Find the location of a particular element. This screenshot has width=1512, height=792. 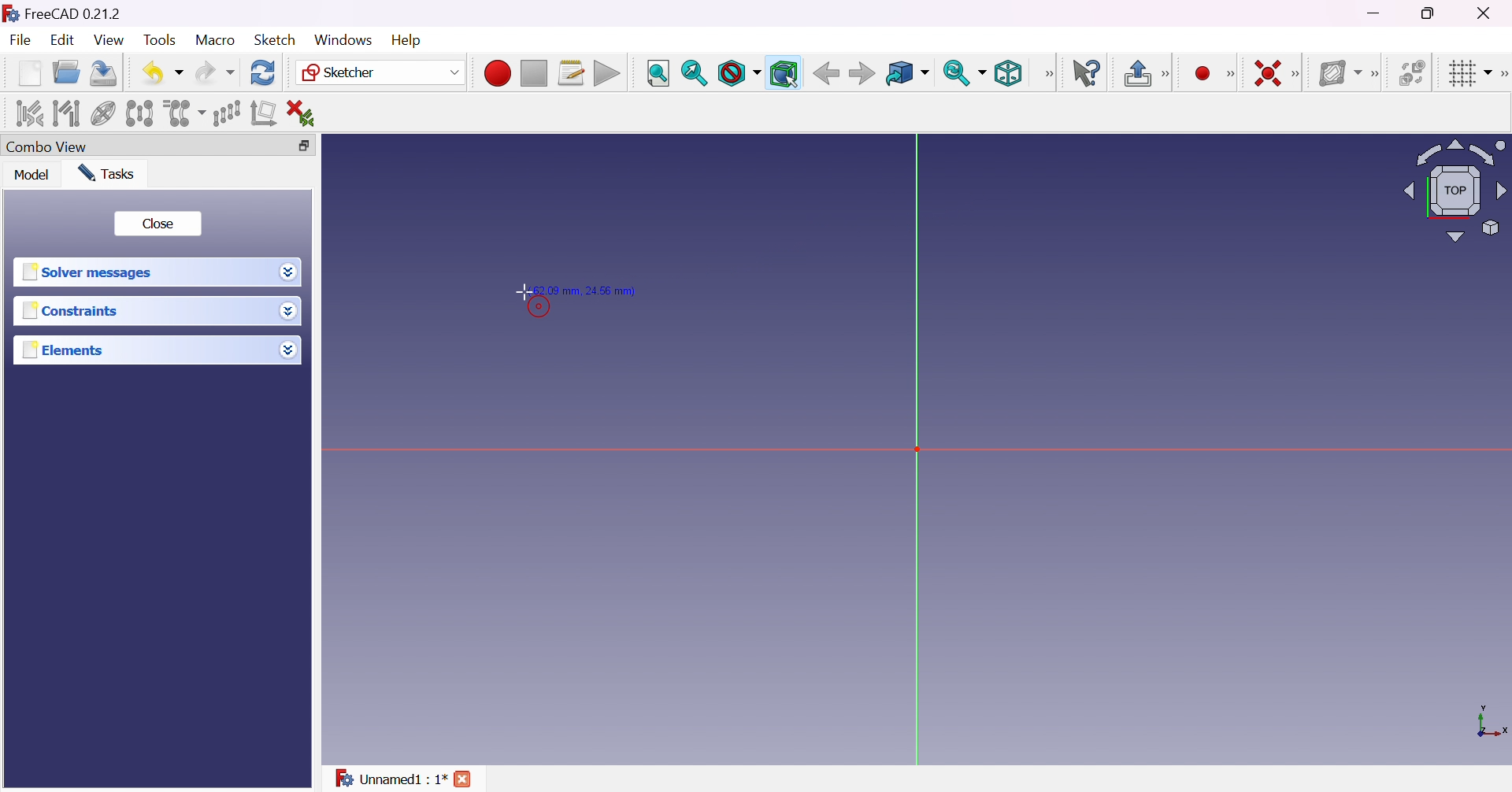

Fit selection is located at coordinates (694, 73).